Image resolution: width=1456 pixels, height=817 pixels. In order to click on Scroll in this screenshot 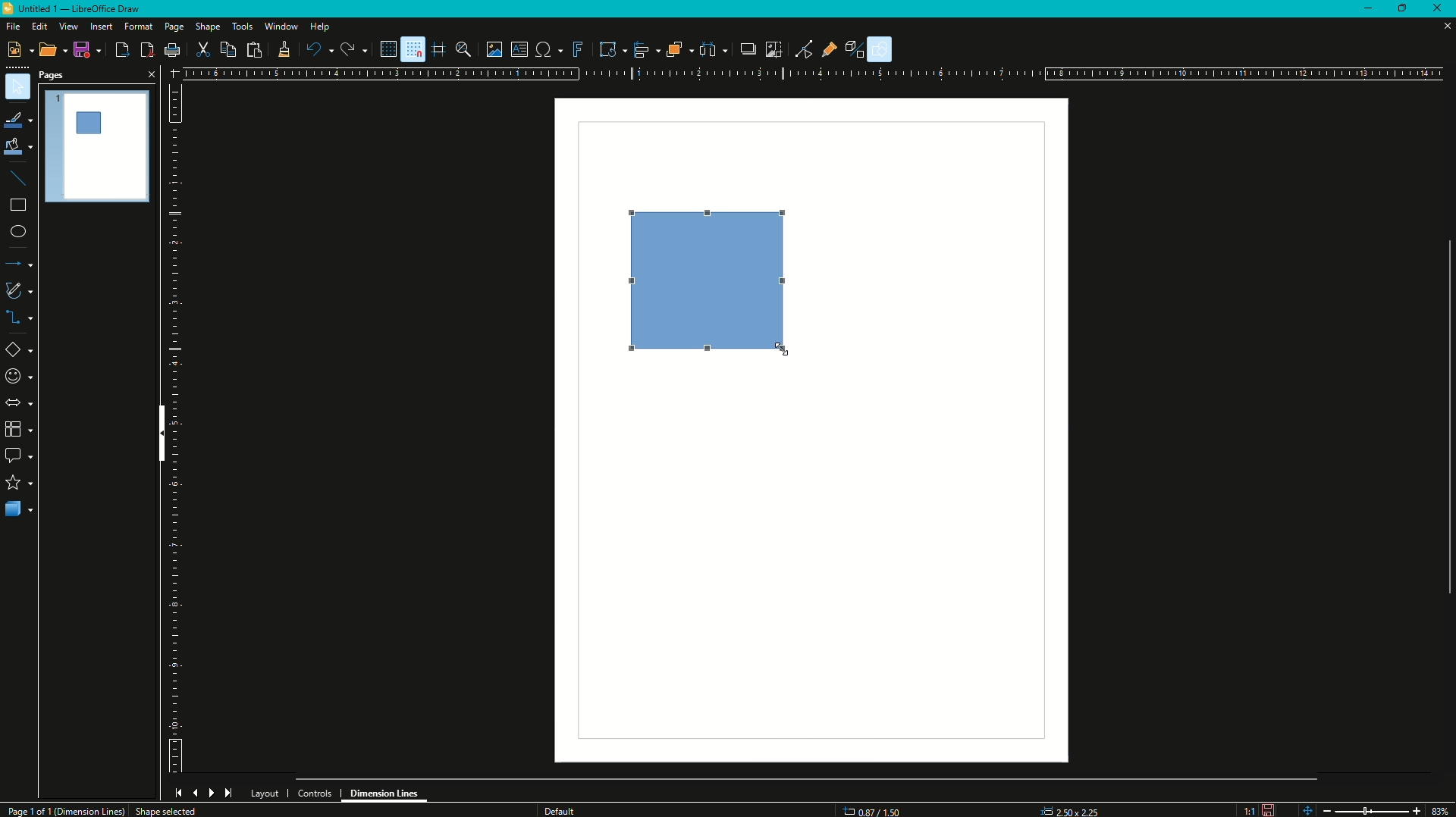, I will do `click(1443, 415)`.